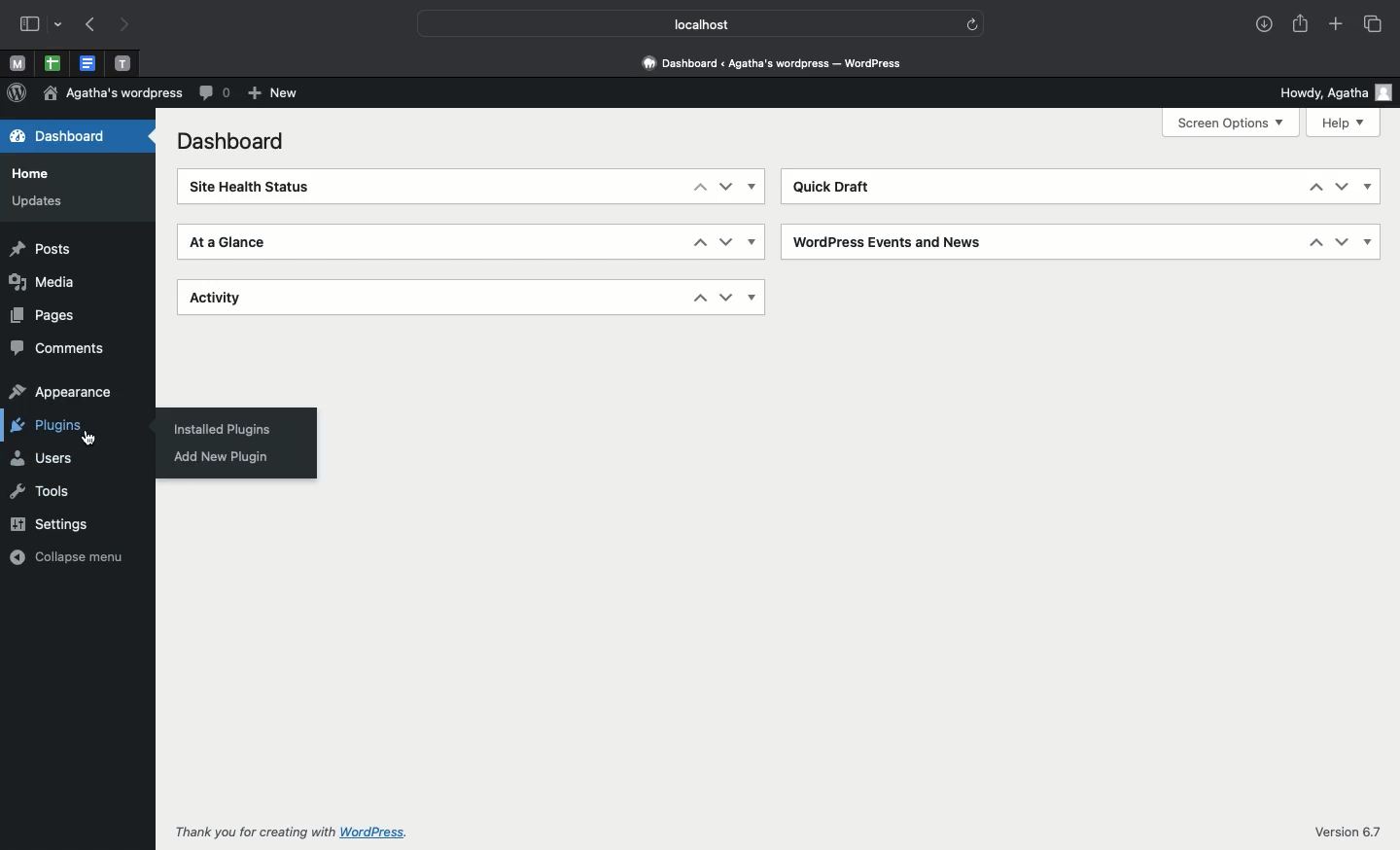  Describe the element at coordinates (1340, 243) in the screenshot. I see `Down` at that location.